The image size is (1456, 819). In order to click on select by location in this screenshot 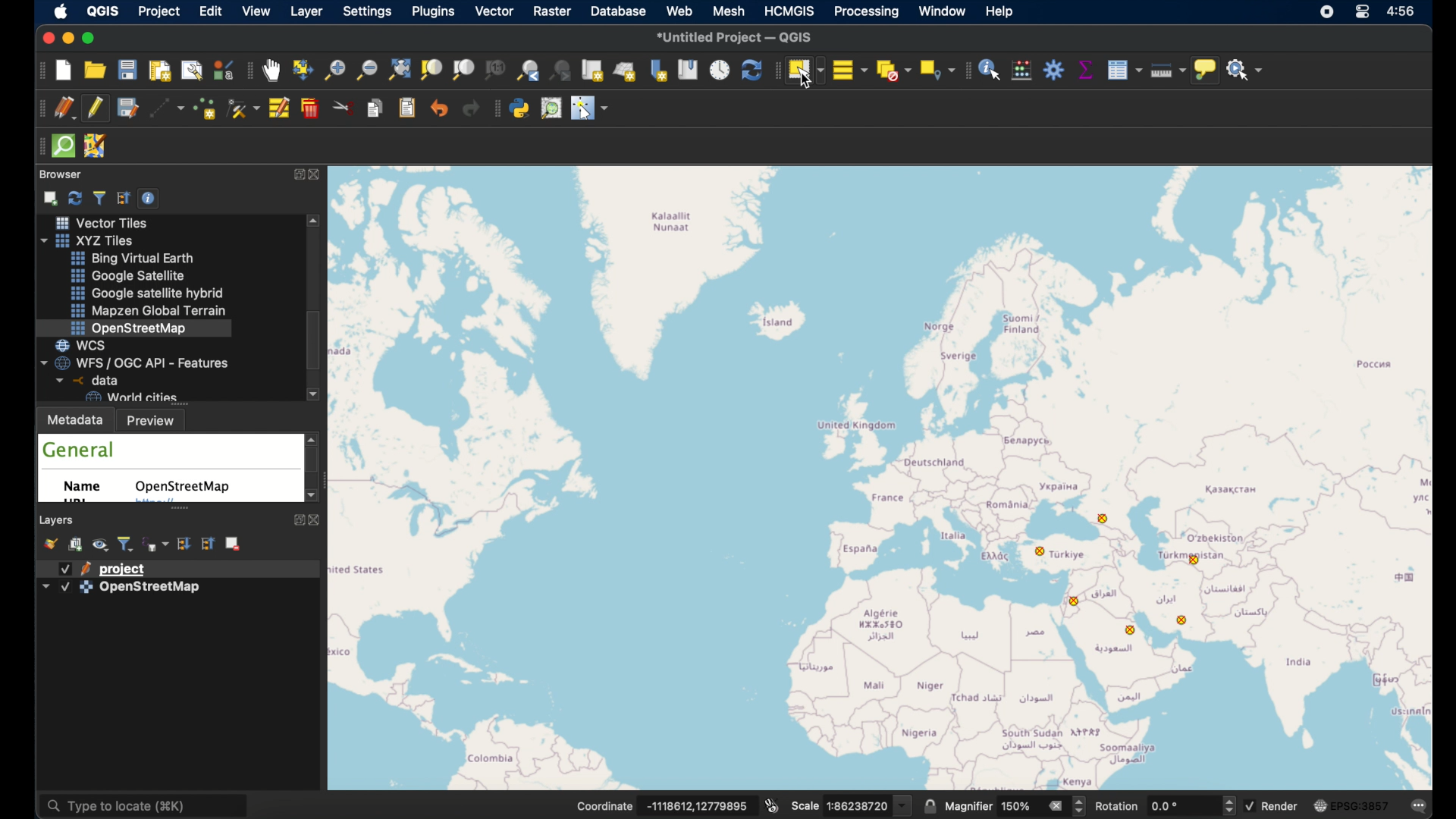, I will do `click(935, 70)`.